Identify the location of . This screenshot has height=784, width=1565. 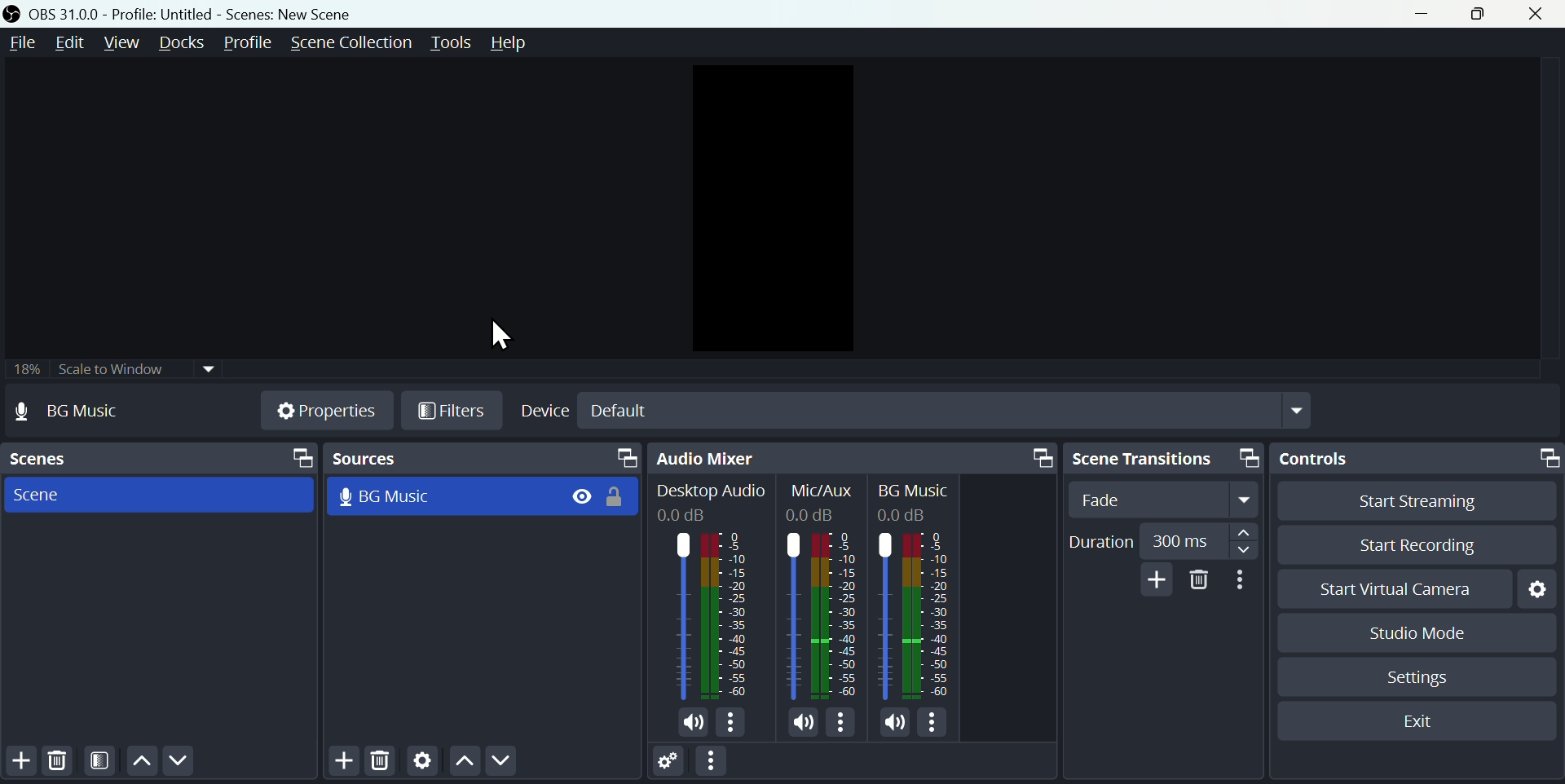
(712, 491).